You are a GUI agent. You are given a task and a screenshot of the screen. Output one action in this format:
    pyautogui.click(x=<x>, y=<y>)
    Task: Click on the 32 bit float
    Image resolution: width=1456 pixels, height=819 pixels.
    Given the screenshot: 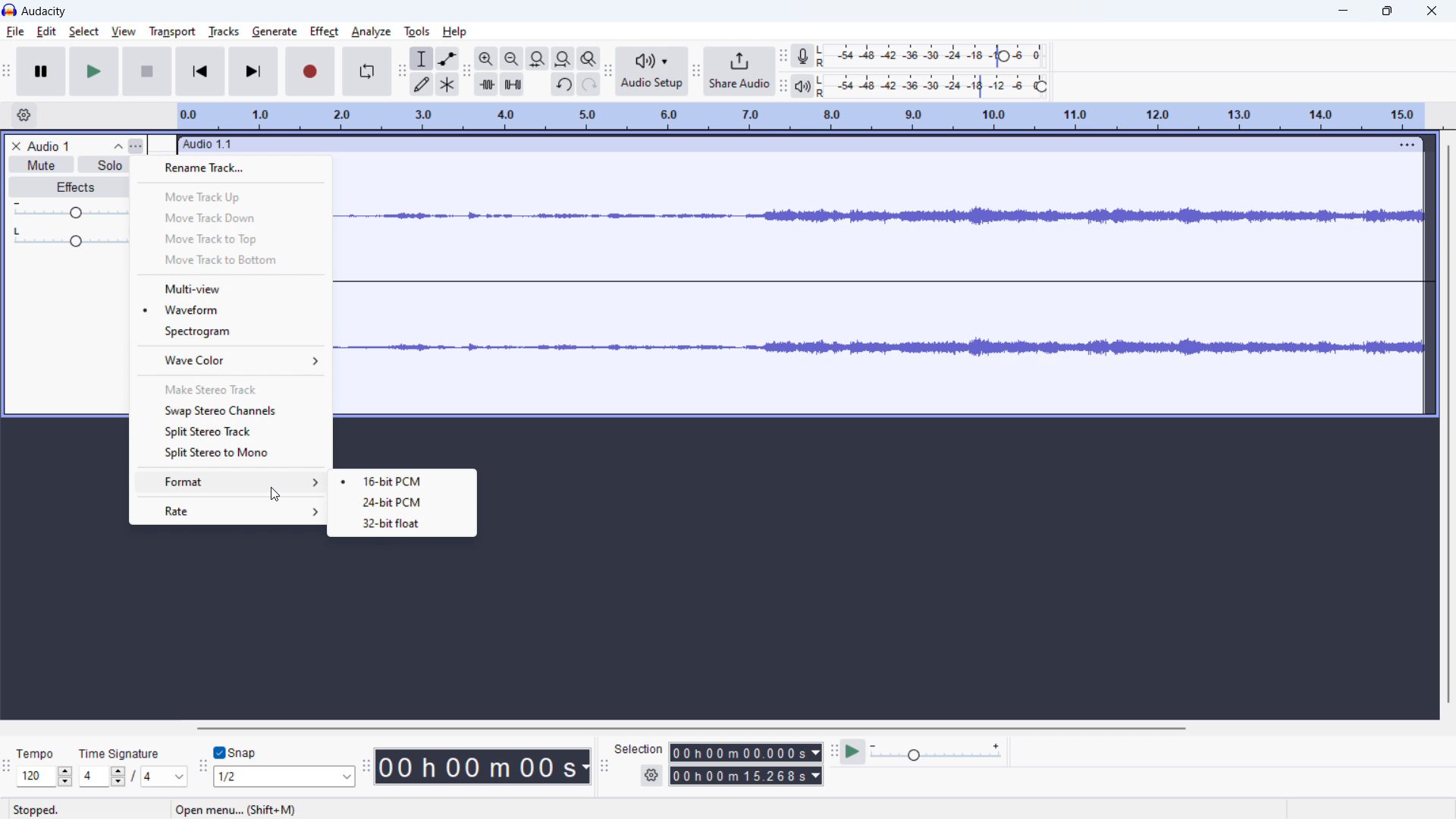 What is the action you would take?
    pyautogui.click(x=403, y=524)
    